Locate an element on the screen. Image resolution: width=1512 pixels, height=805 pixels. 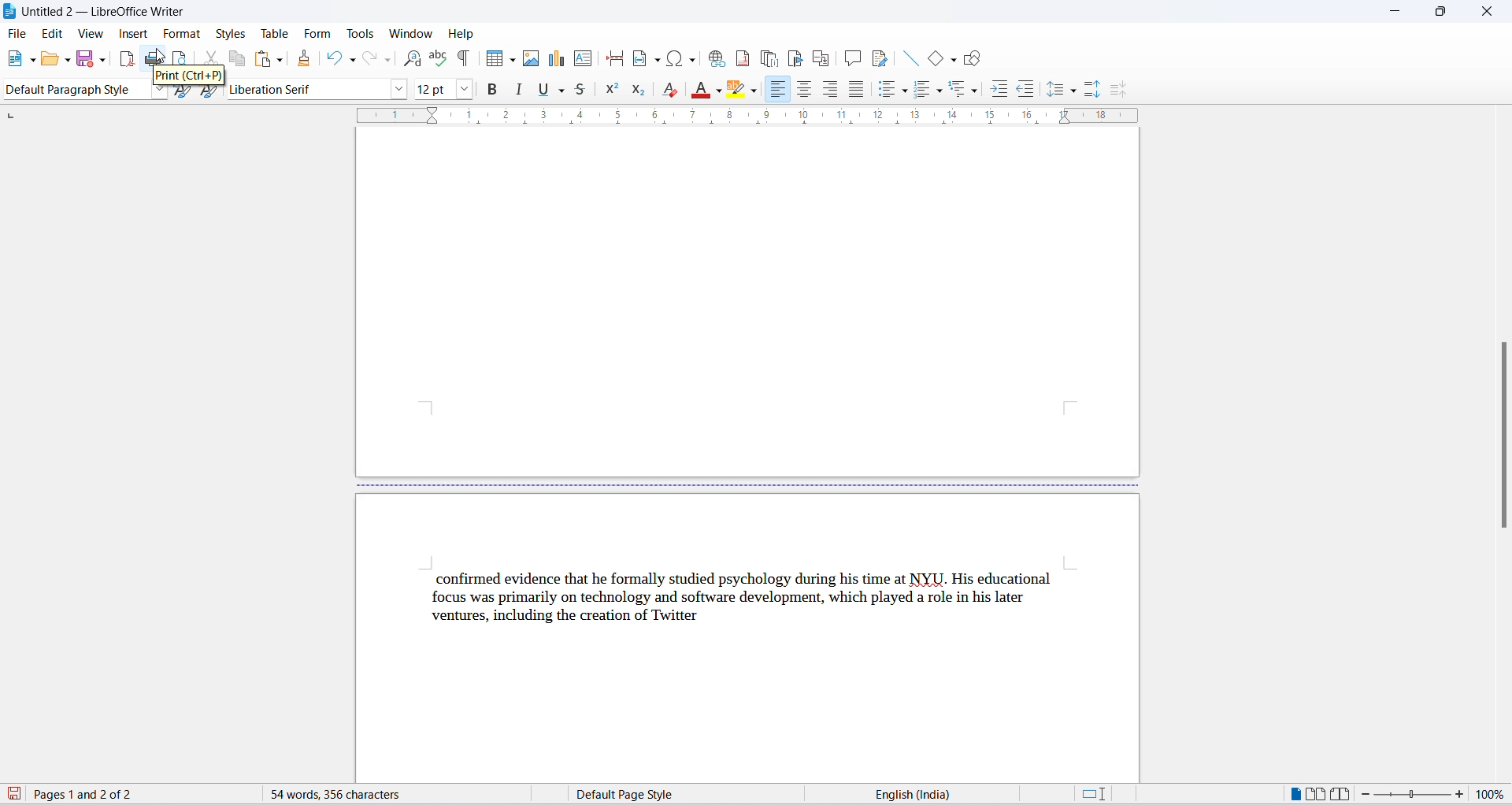
redo options is located at coordinates (389, 61).